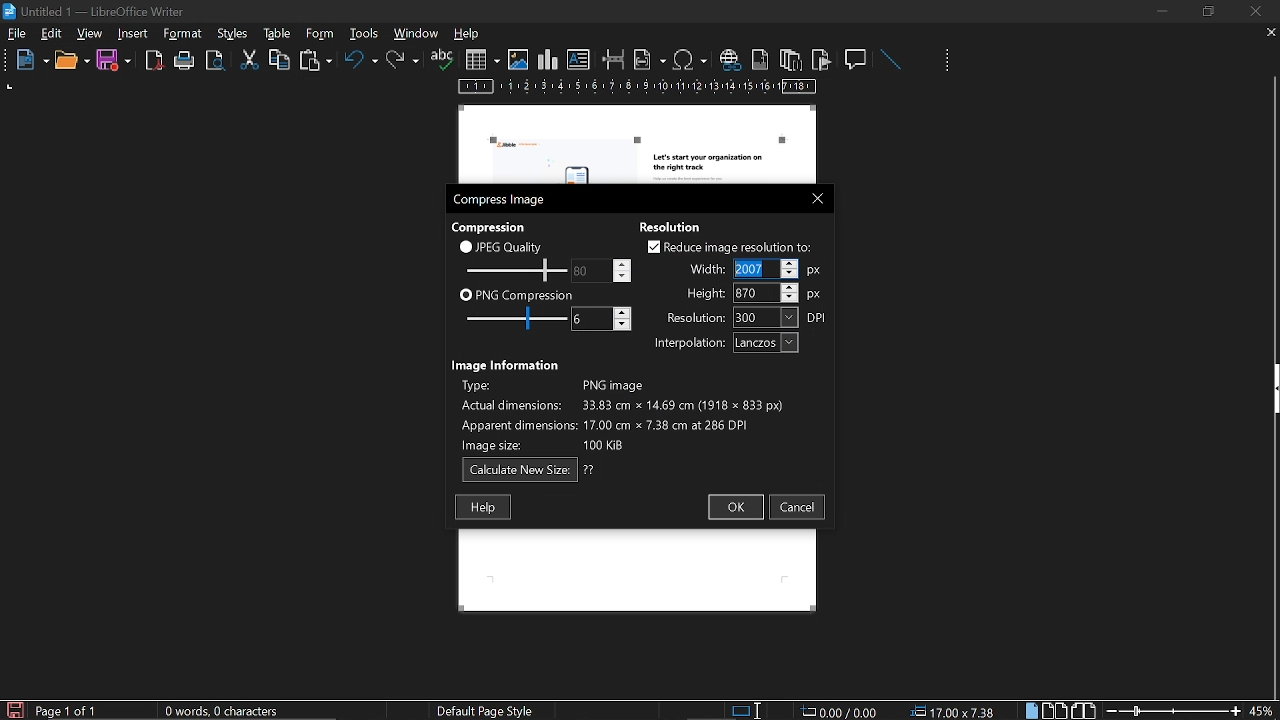  I want to click on insert hyperlink, so click(729, 61).